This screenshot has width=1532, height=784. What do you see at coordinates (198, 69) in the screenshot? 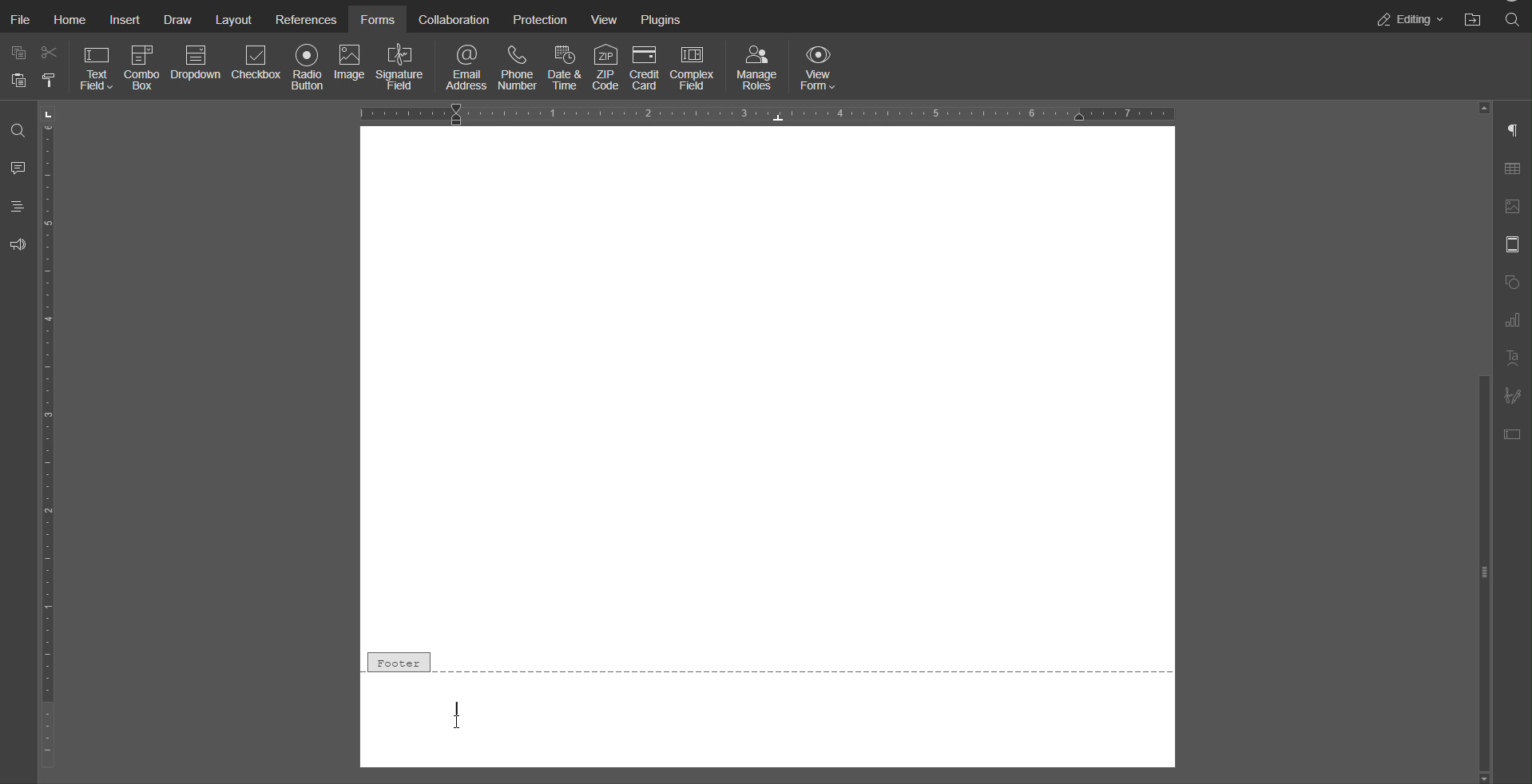
I see `Dropdown` at bounding box center [198, 69].